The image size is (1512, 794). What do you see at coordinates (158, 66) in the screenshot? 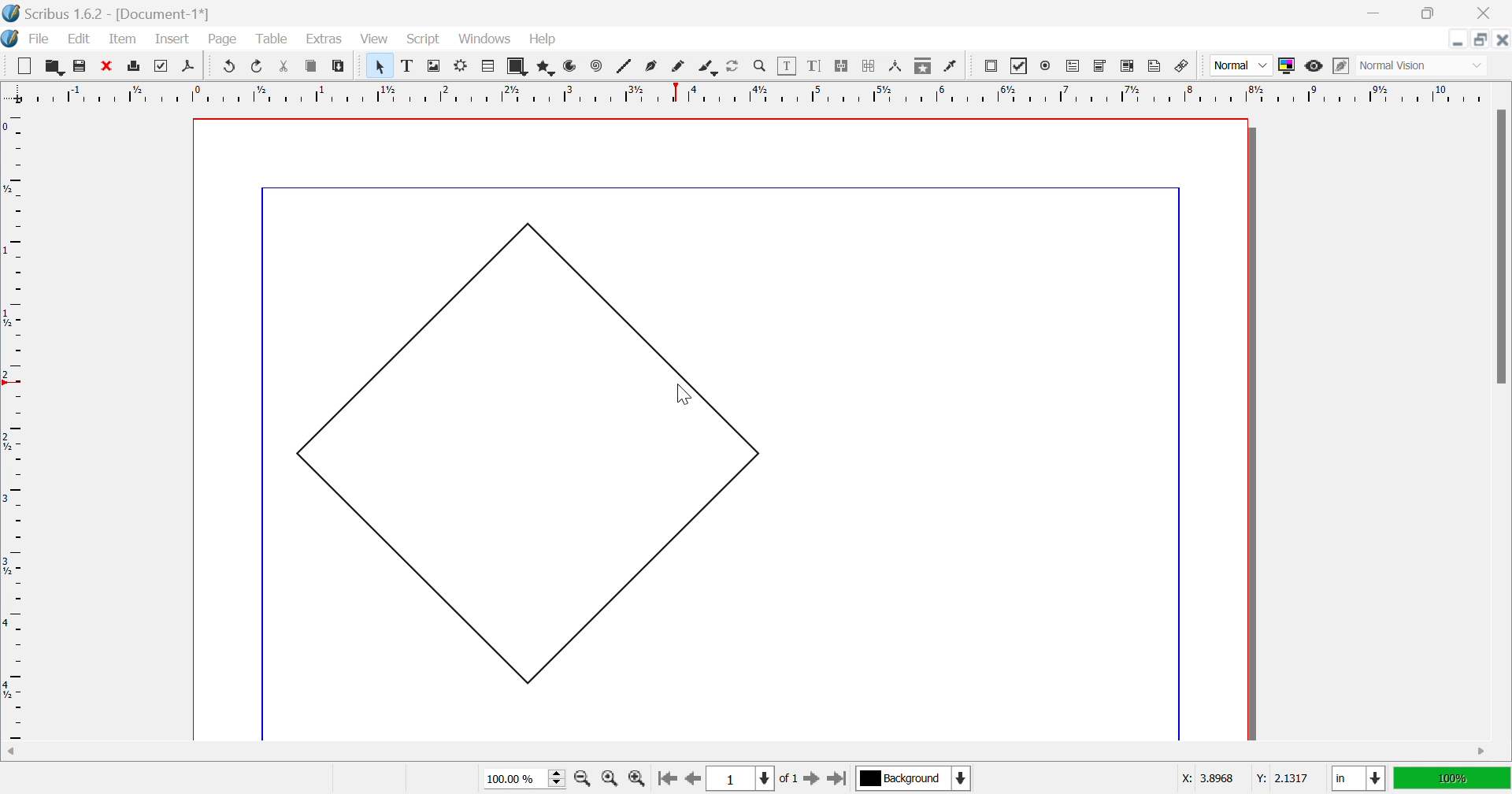
I see `Print` at bounding box center [158, 66].